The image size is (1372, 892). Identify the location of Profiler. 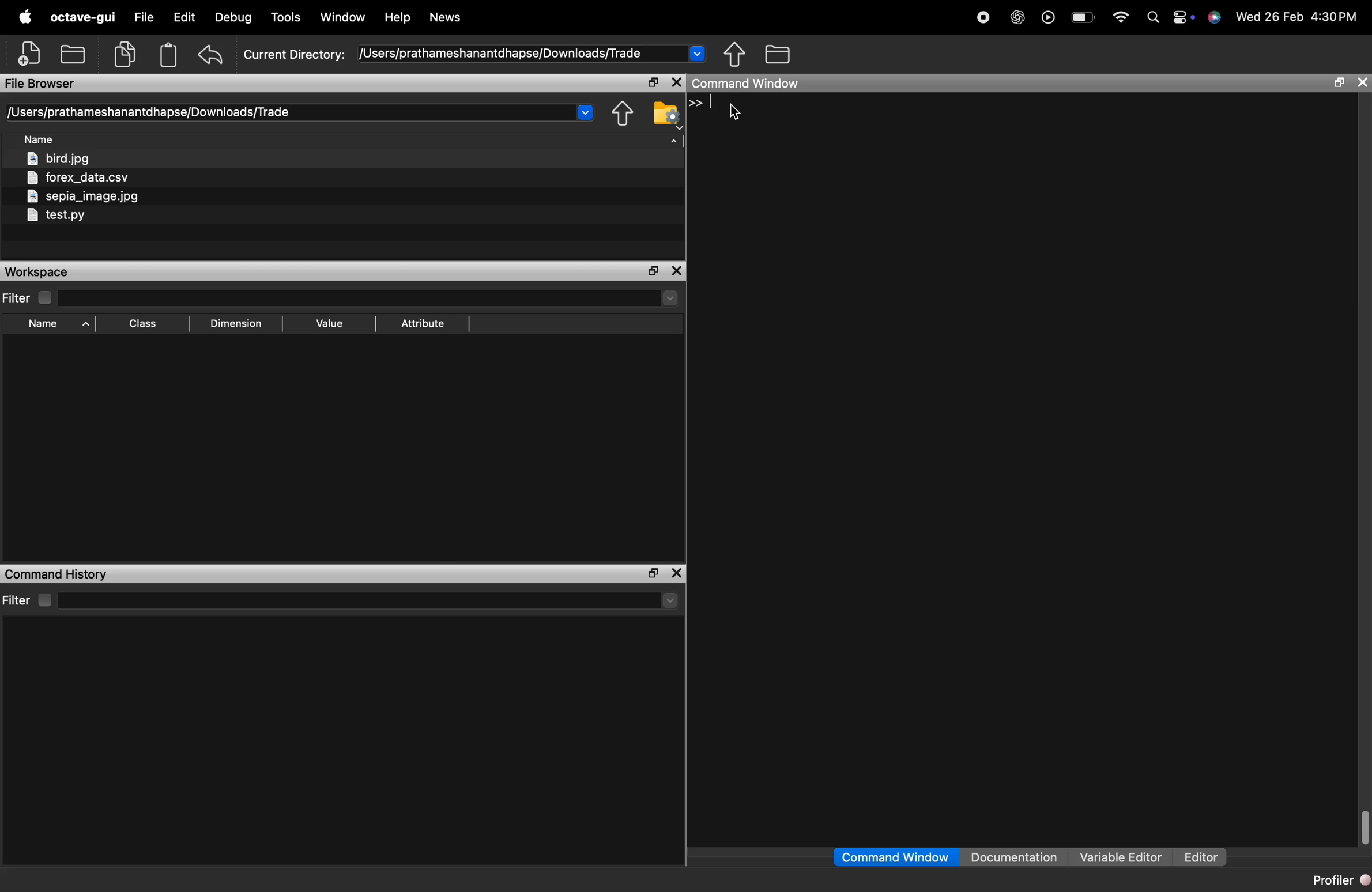
(1340, 880).